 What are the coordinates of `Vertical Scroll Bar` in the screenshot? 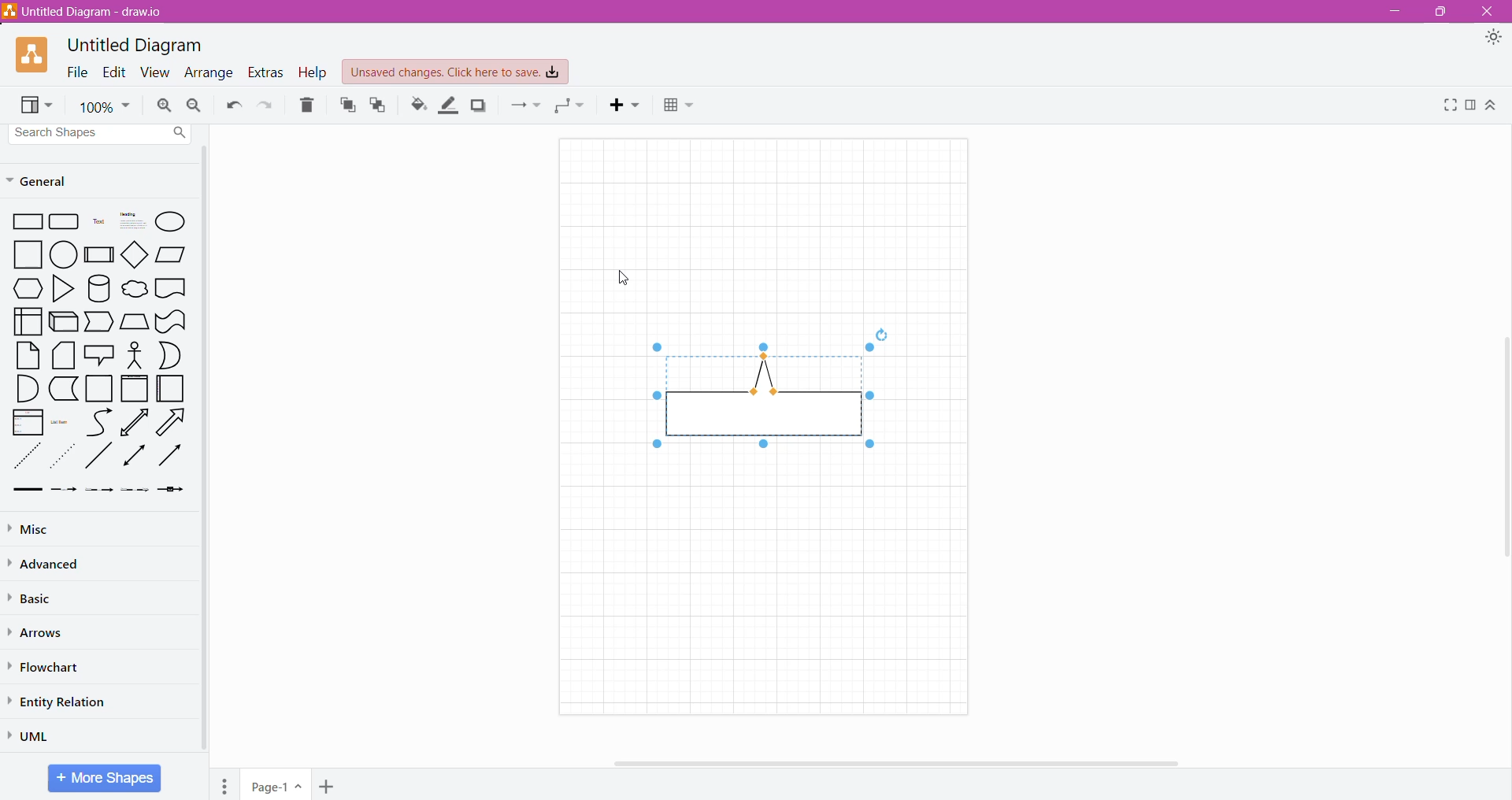 It's located at (206, 451).